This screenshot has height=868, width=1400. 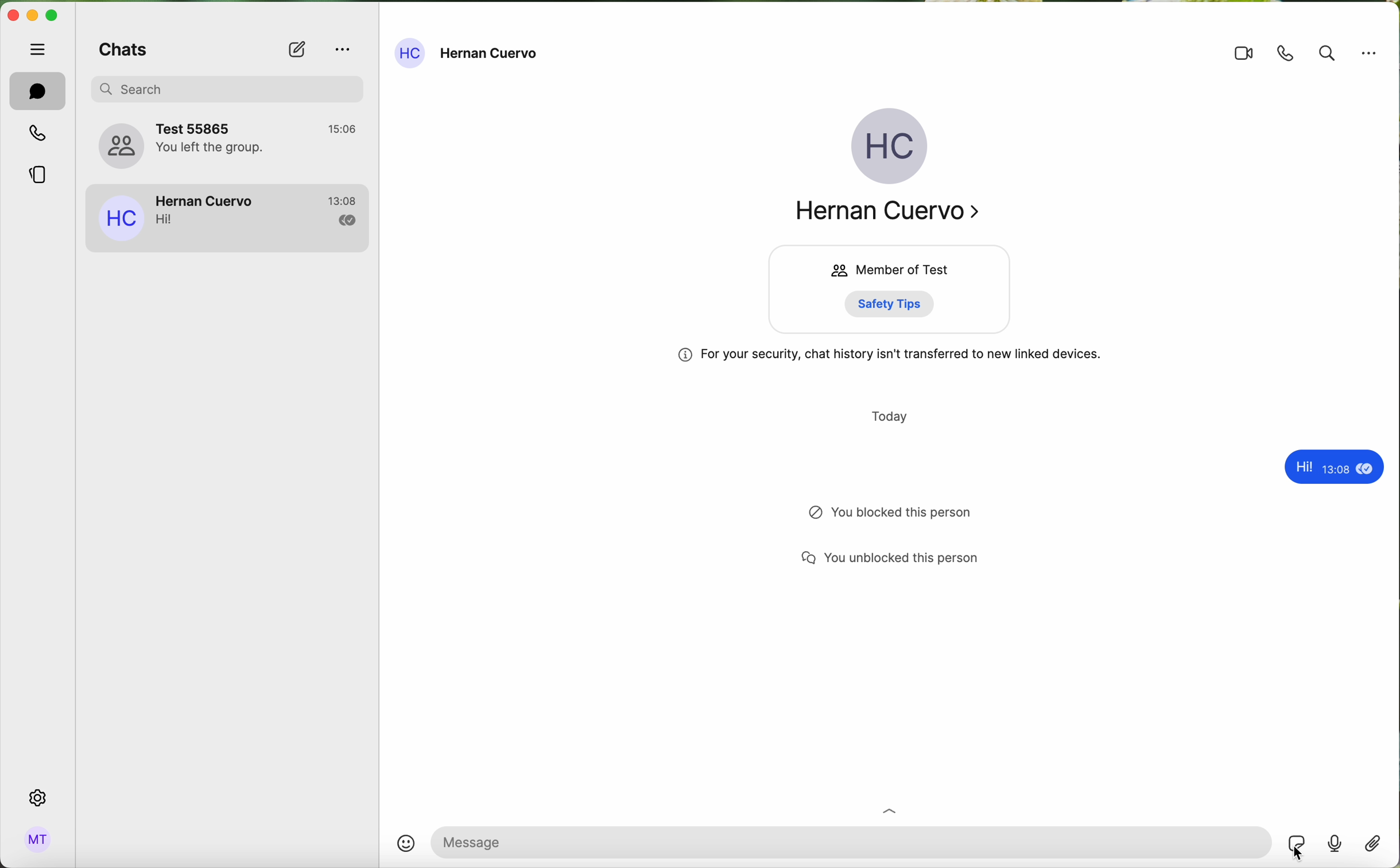 What do you see at coordinates (407, 843) in the screenshot?
I see `emoji` at bounding box center [407, 843].